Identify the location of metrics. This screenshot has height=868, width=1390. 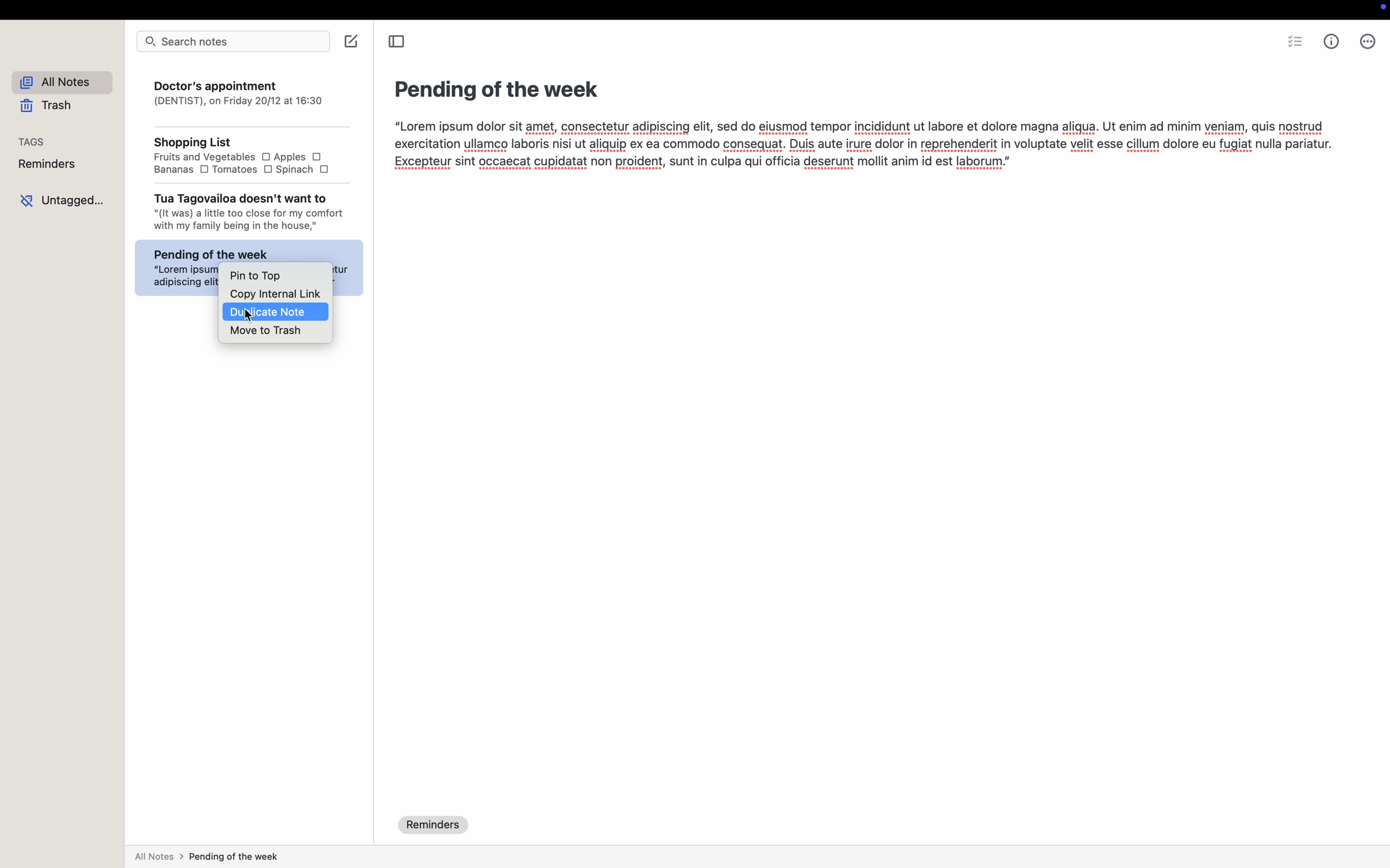
(1333, 42).